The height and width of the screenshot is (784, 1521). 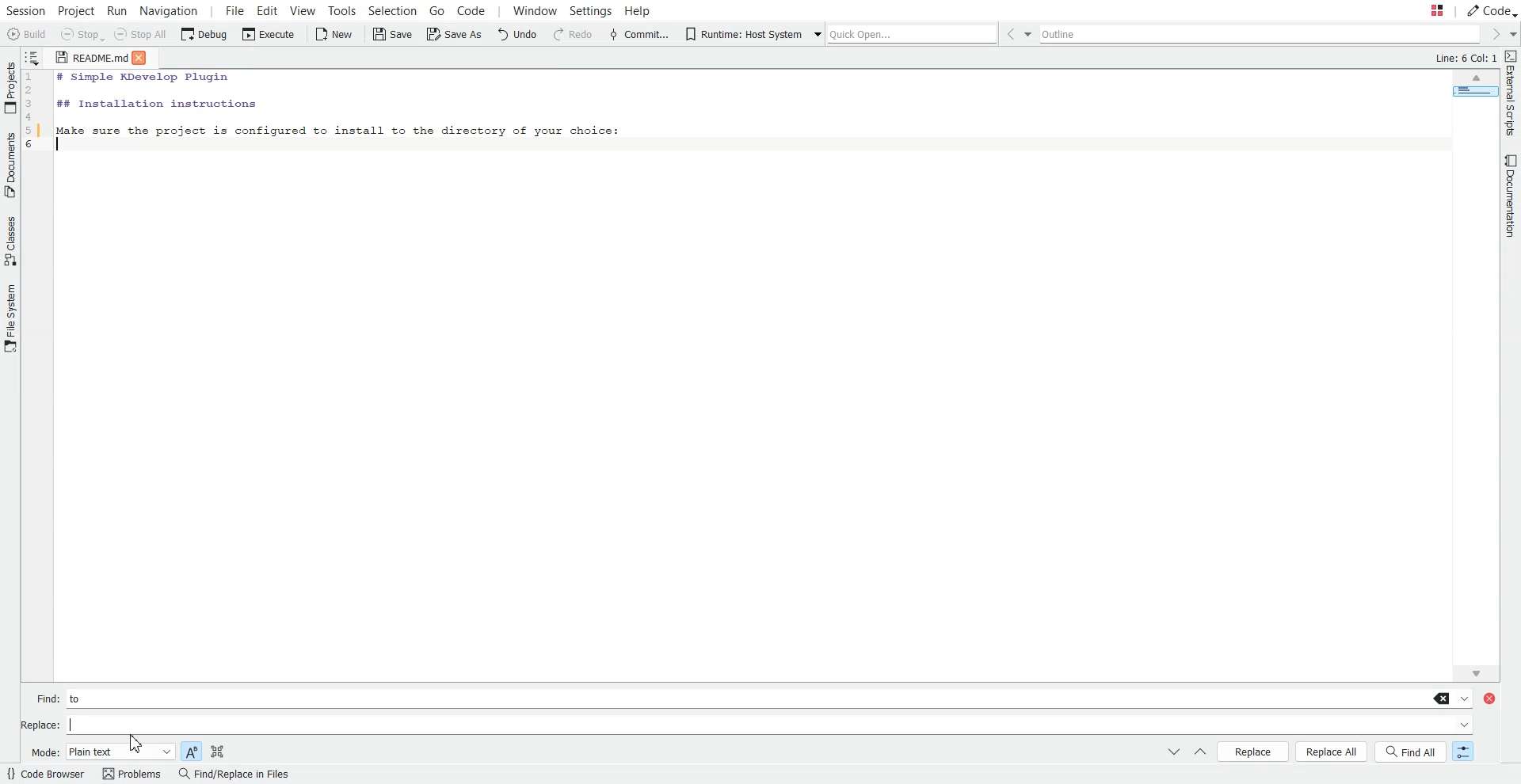 I want to click on Show sorted list, so click(x=33, y=56).